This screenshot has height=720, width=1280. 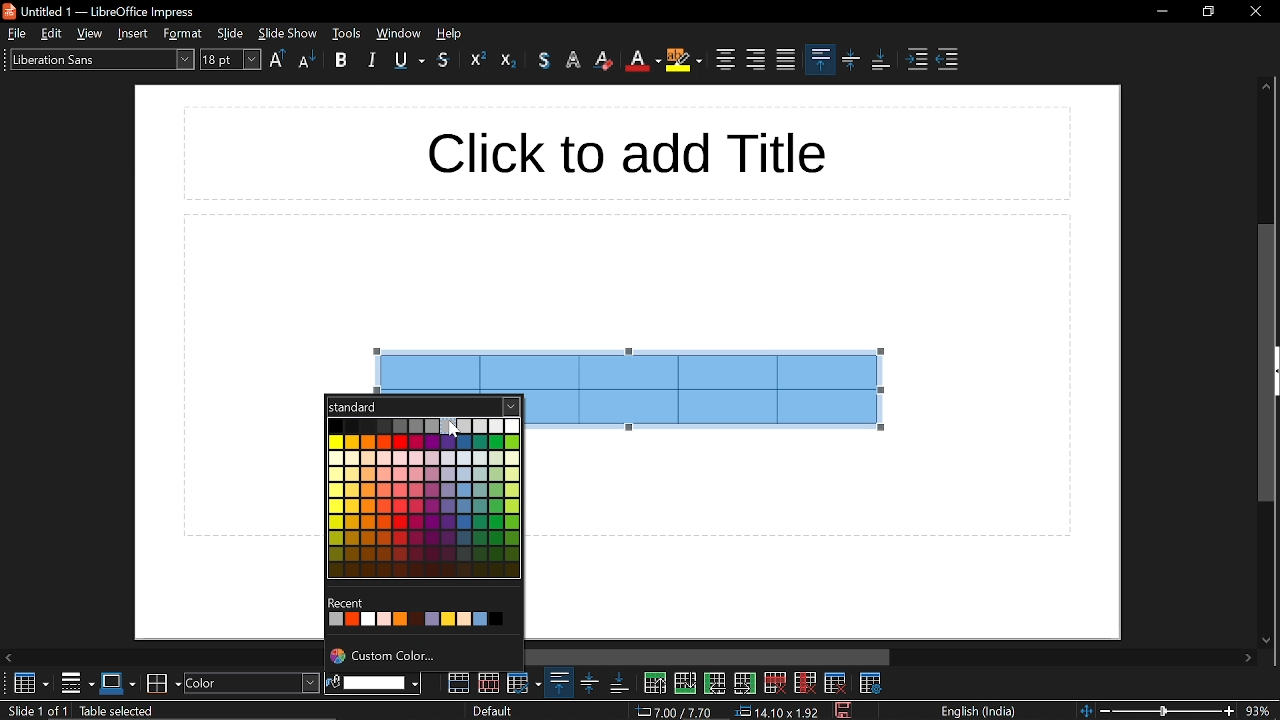 I want to click on window, so click(x=398, y=34).